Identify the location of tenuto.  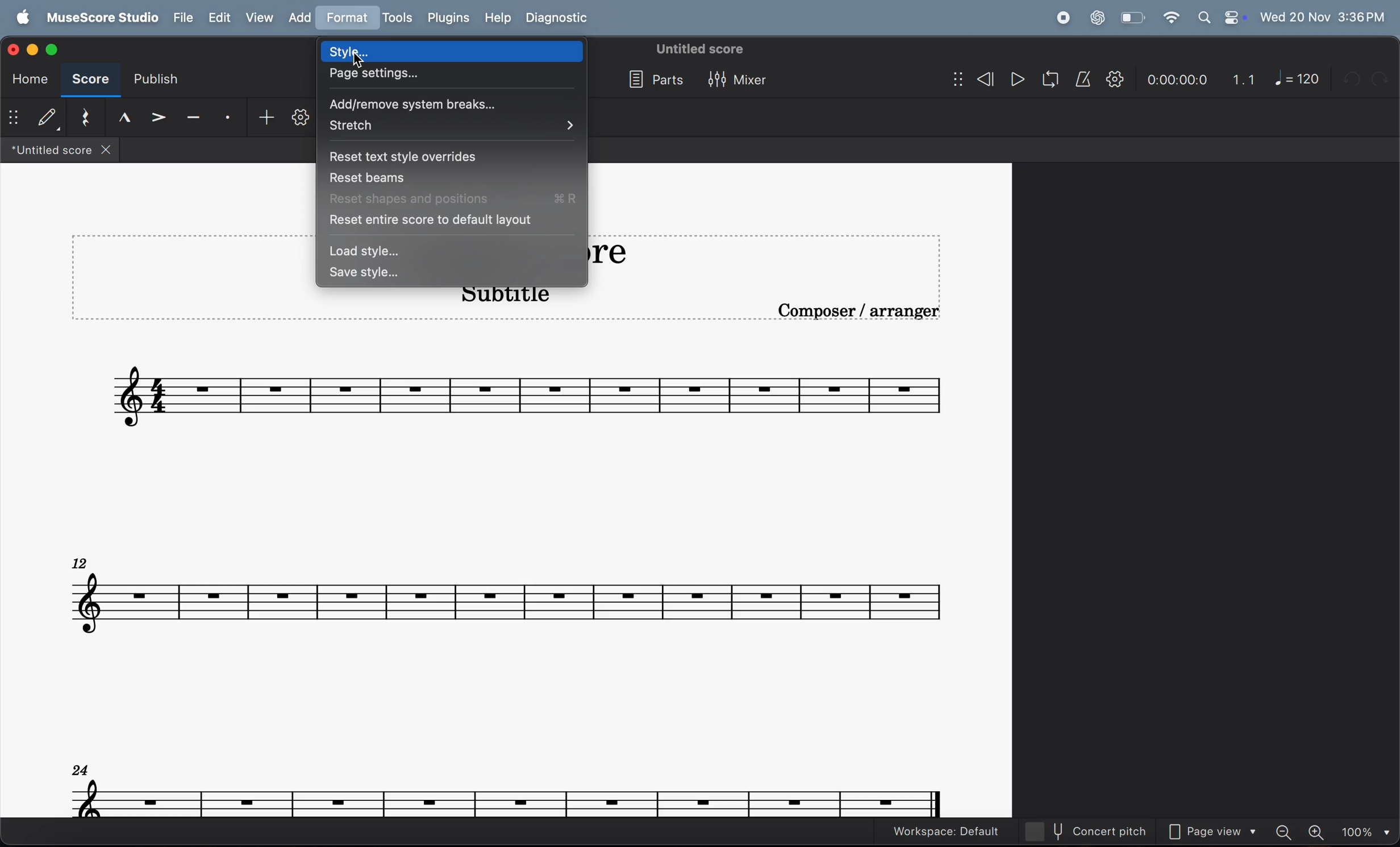
(124, 117).